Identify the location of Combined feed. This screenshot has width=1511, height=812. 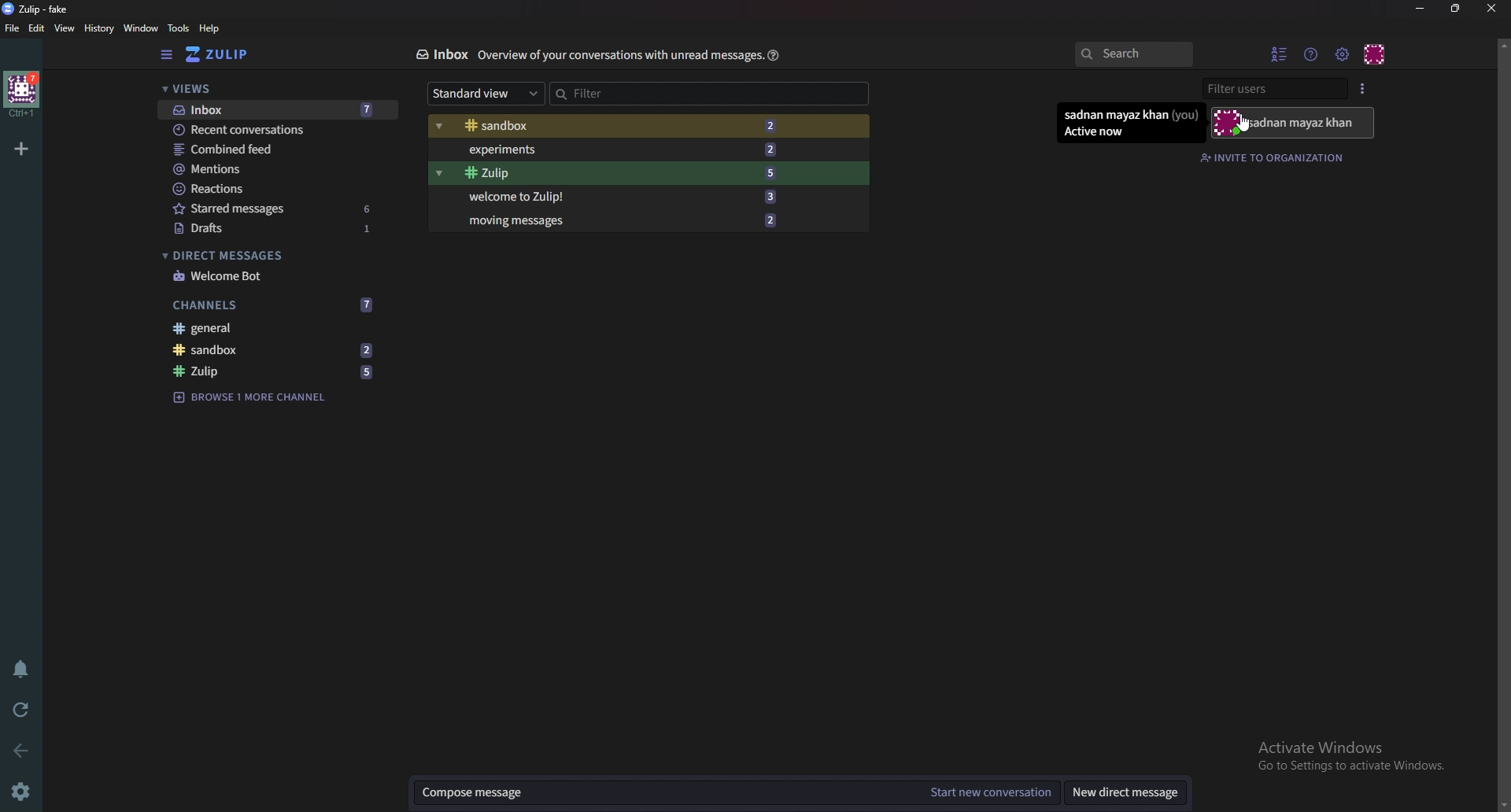
(275, 149).